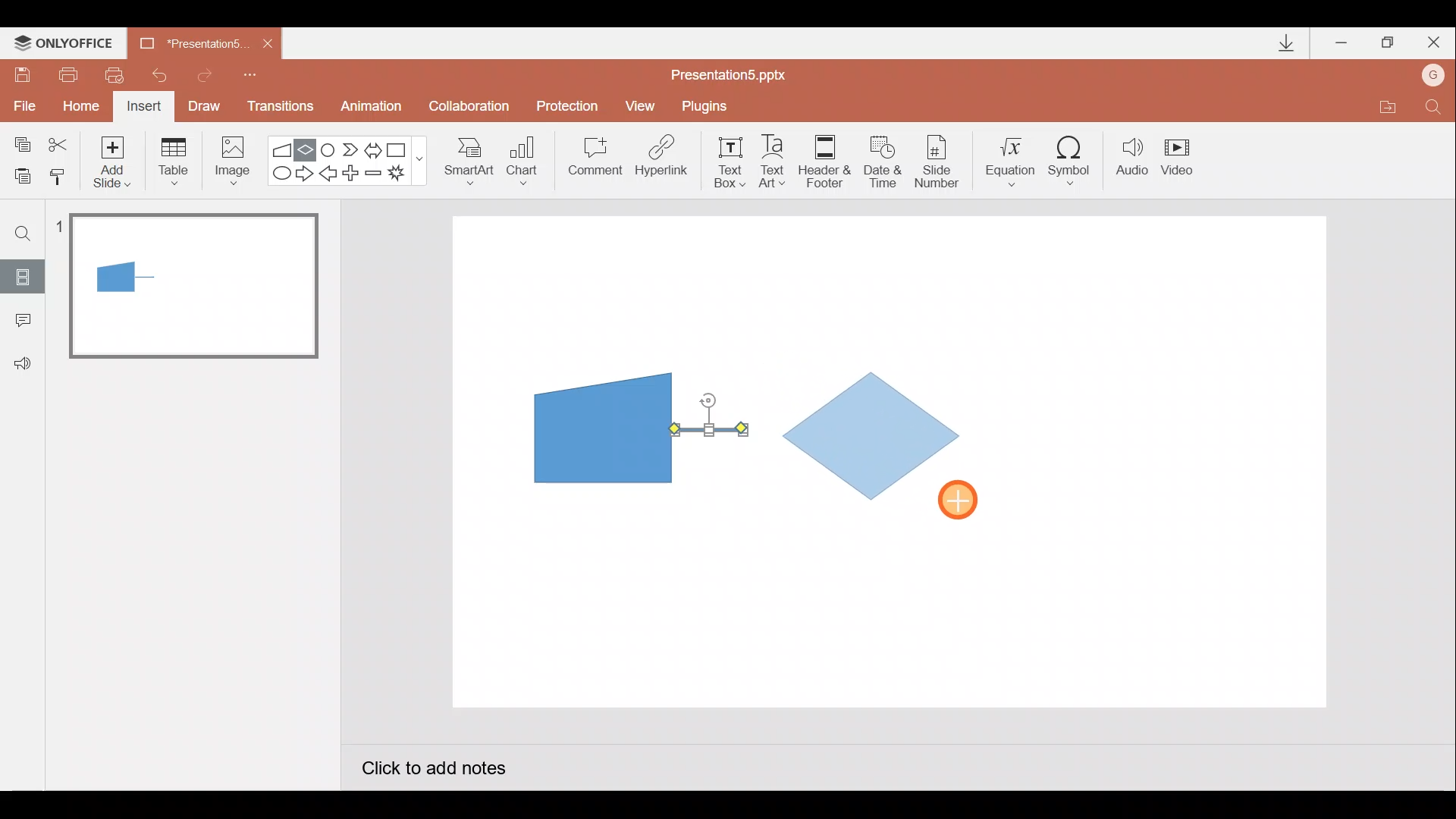 The height and width of the screenshot is (819, 1456). Describe the element at coordinates (120, 71) in the screenshot. I see `Quick print` at that location.